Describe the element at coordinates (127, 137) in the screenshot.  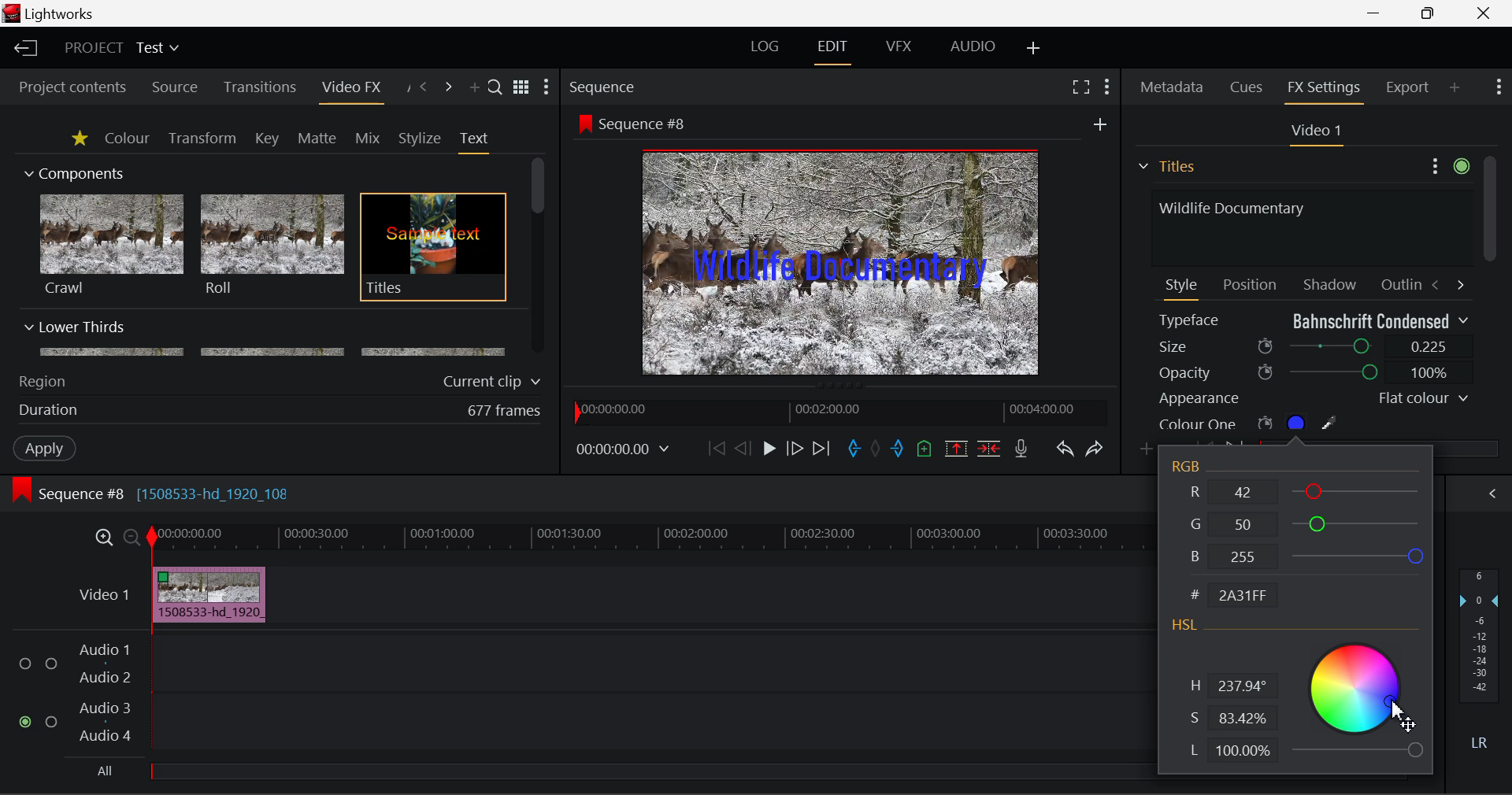
I see `Colour` at that location.